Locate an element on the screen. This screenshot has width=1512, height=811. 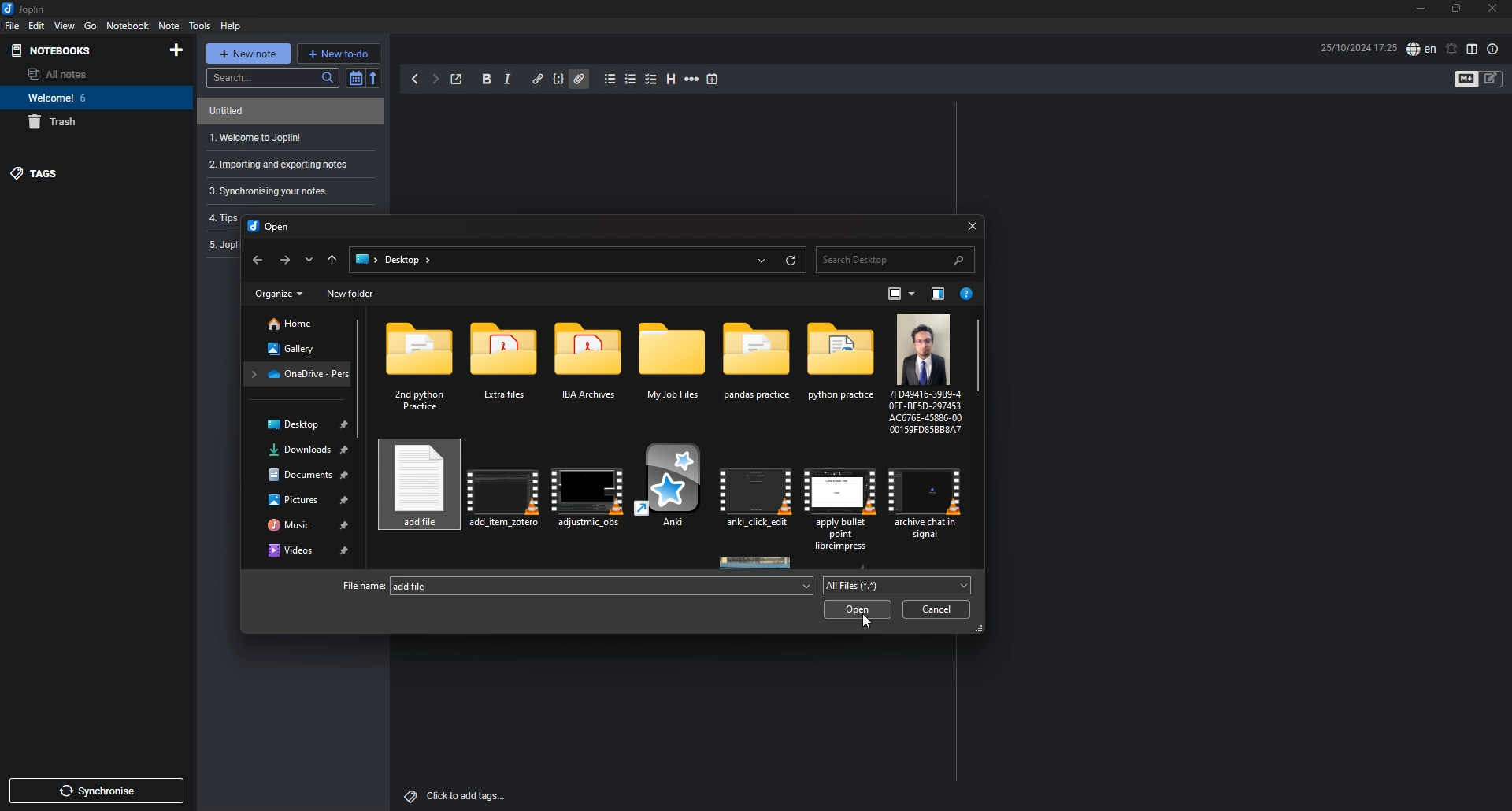
4. Tips is located at coordinates (221, 217).